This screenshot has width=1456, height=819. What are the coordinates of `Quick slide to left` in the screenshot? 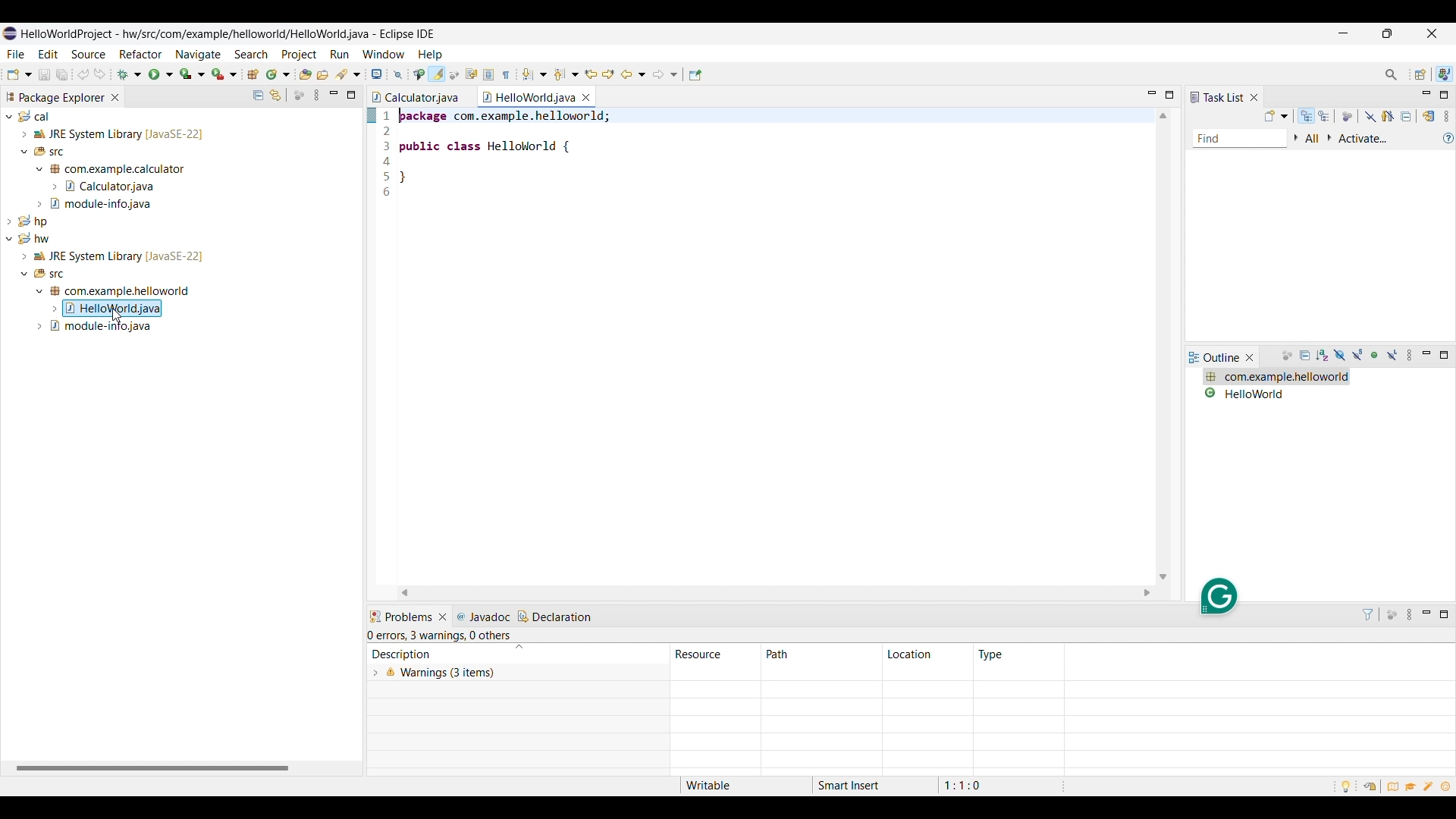 It's located at (404, 593).